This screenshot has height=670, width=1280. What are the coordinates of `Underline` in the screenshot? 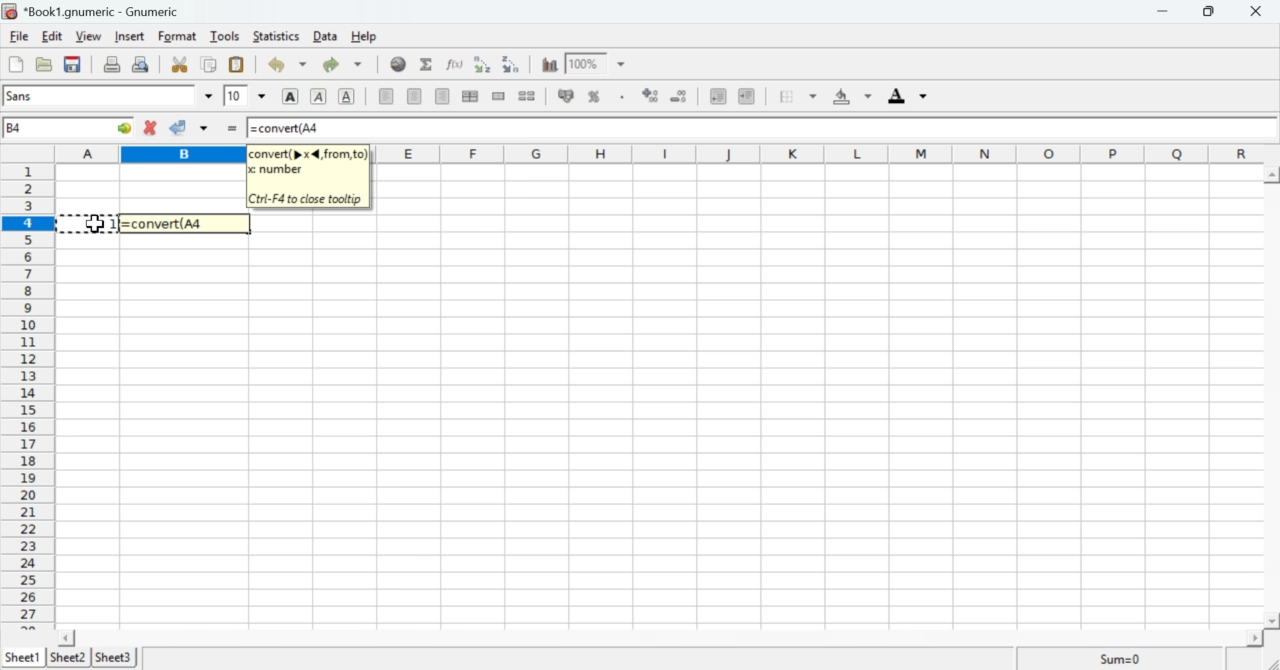 It's located at (350, 97).